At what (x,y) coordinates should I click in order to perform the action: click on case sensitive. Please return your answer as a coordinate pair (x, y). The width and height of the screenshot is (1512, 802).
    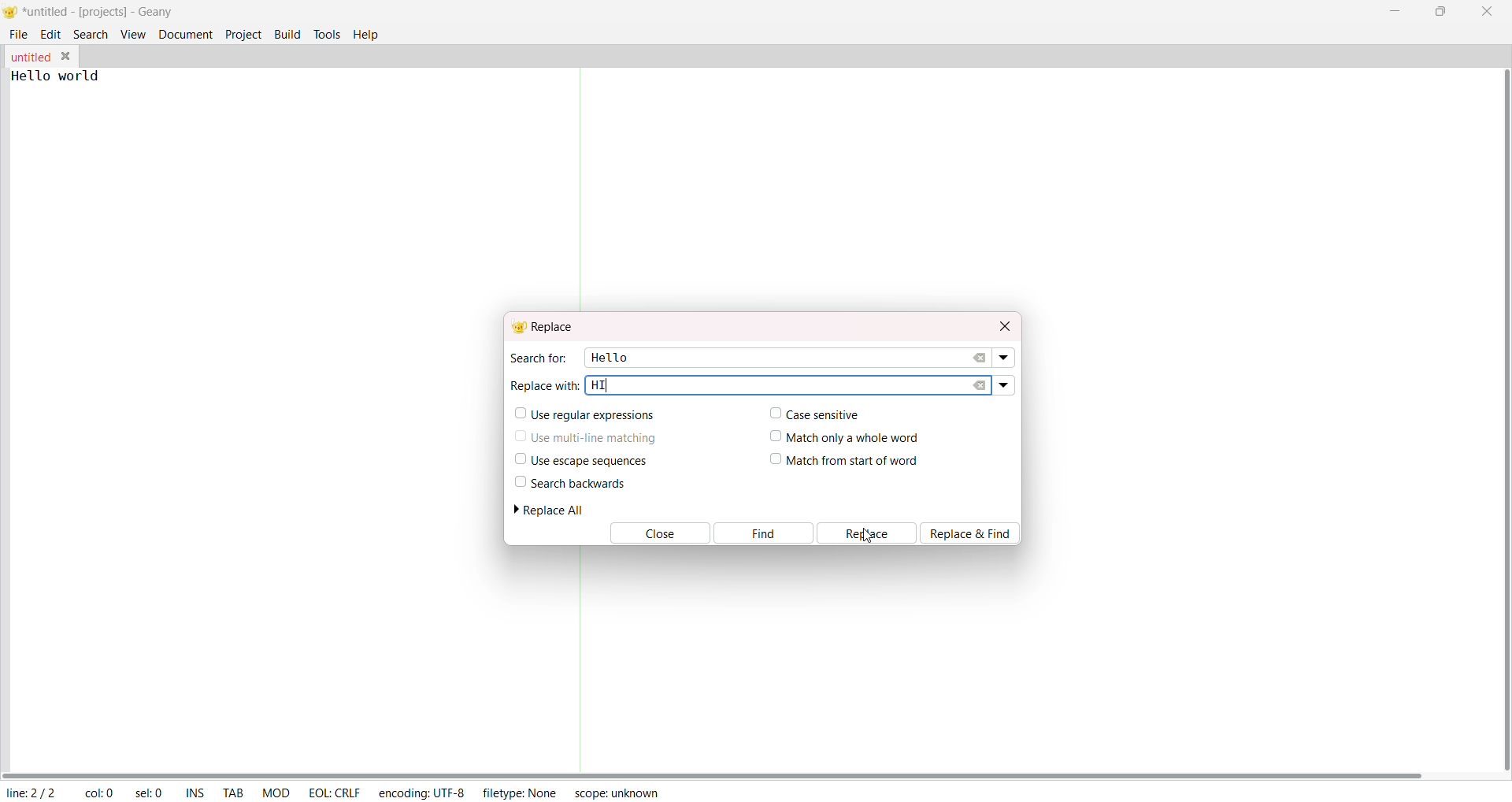
    Looking at the image, I should click on (811, 413).